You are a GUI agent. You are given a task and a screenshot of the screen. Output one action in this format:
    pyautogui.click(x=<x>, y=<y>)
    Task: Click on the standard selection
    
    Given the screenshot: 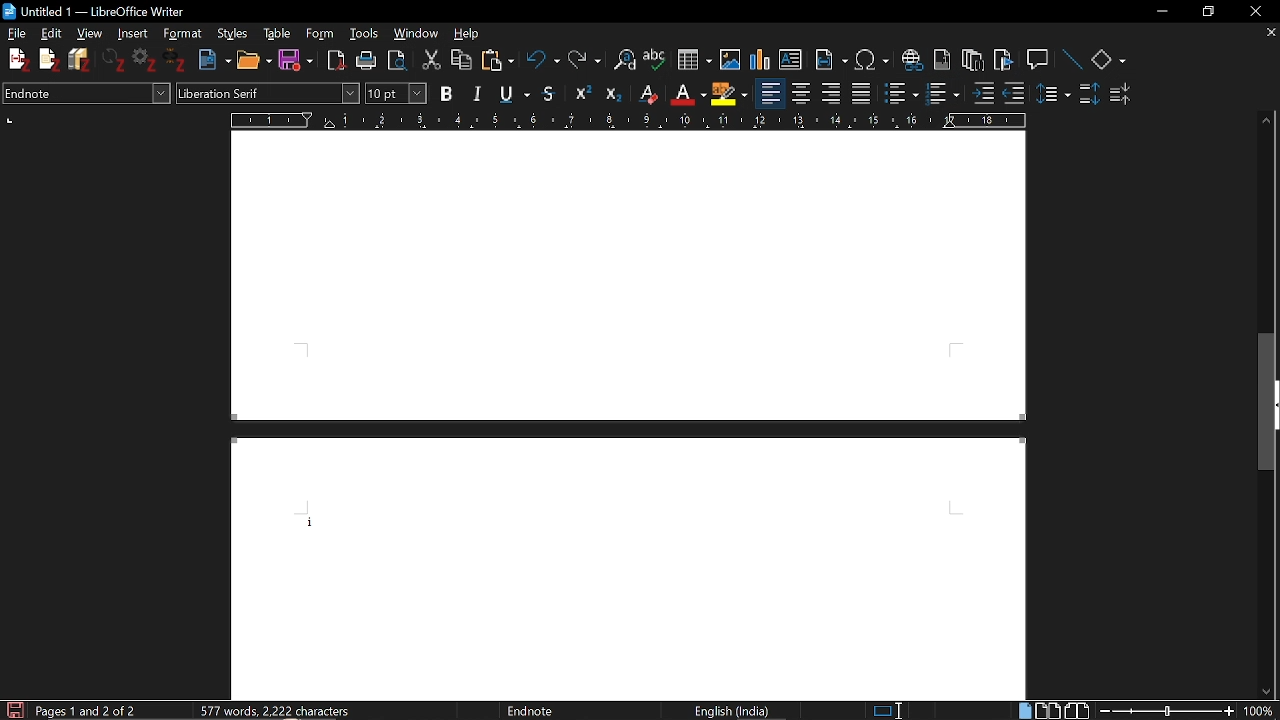 What is the action you would take?
    pyautogui.click(x=890, y=711)
    